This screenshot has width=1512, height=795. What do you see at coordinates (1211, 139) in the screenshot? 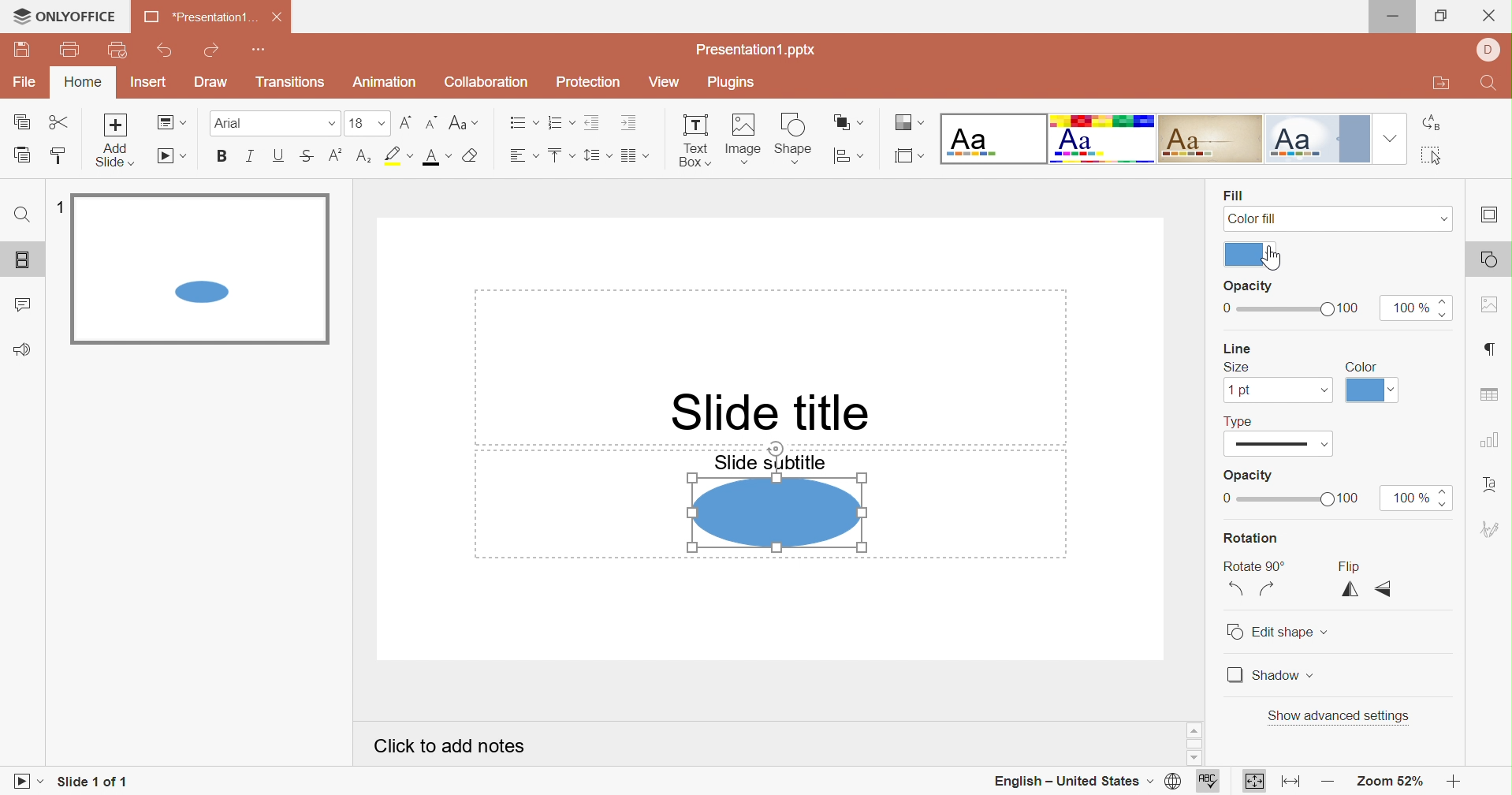
I see `Classic` at bounding box center [1211, 139].